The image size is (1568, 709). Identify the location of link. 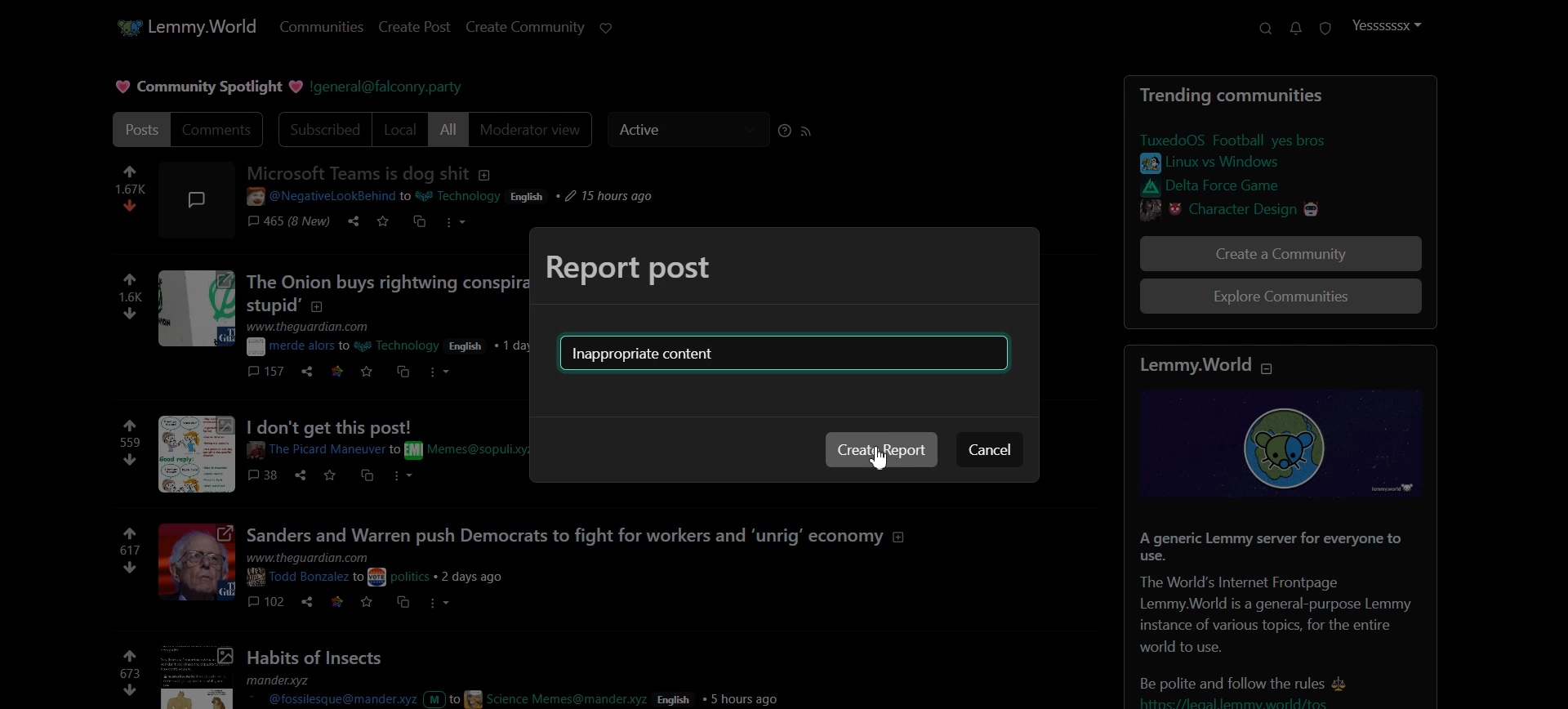
(1236, 163).